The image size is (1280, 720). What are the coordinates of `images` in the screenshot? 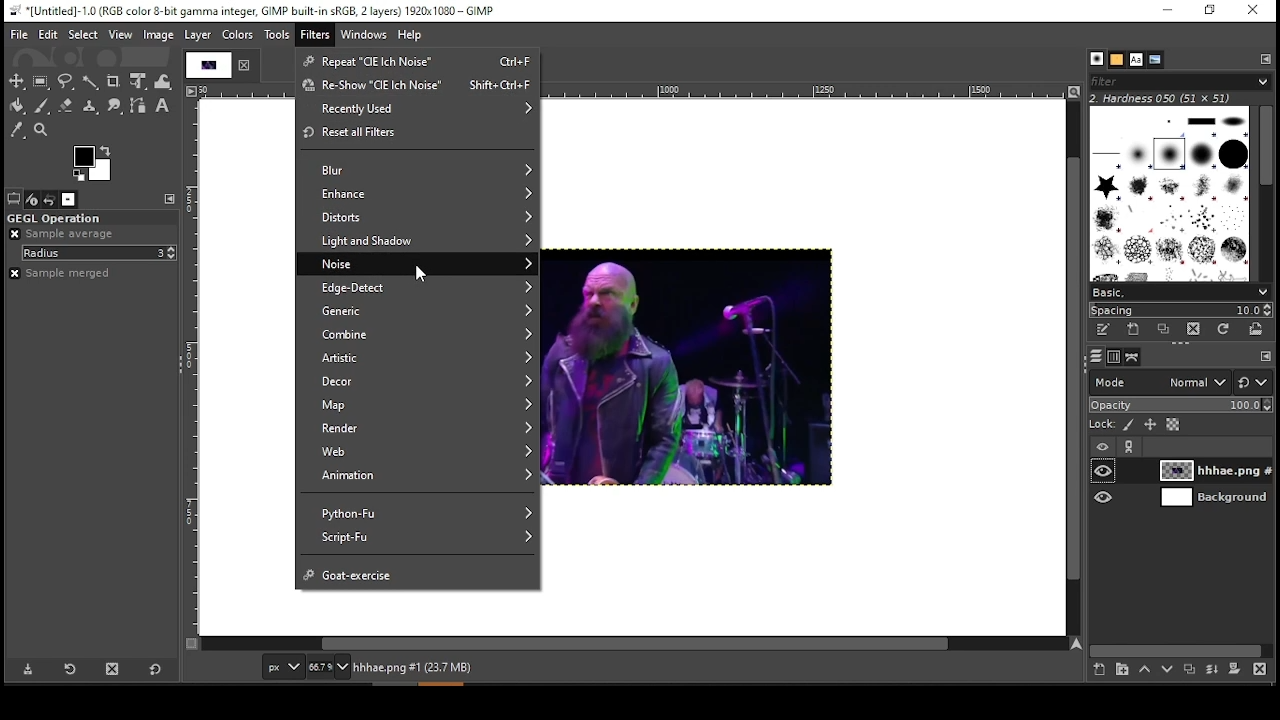 It's located at (69, 199).